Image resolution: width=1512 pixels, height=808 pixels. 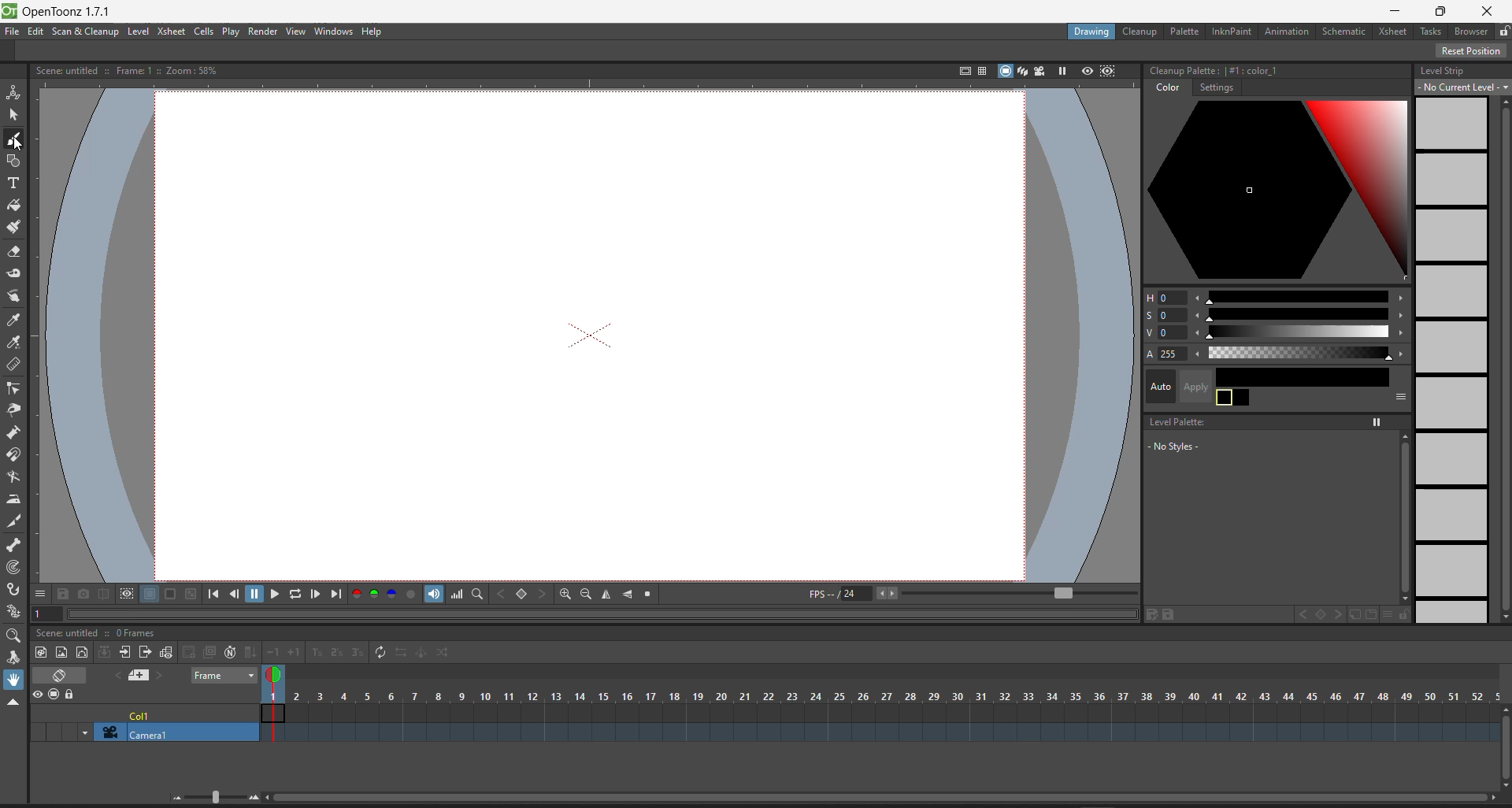 What do you see at coordinates (1298, 351) in the screenshot?
I see `slider` at bounding box center [1298, 351].